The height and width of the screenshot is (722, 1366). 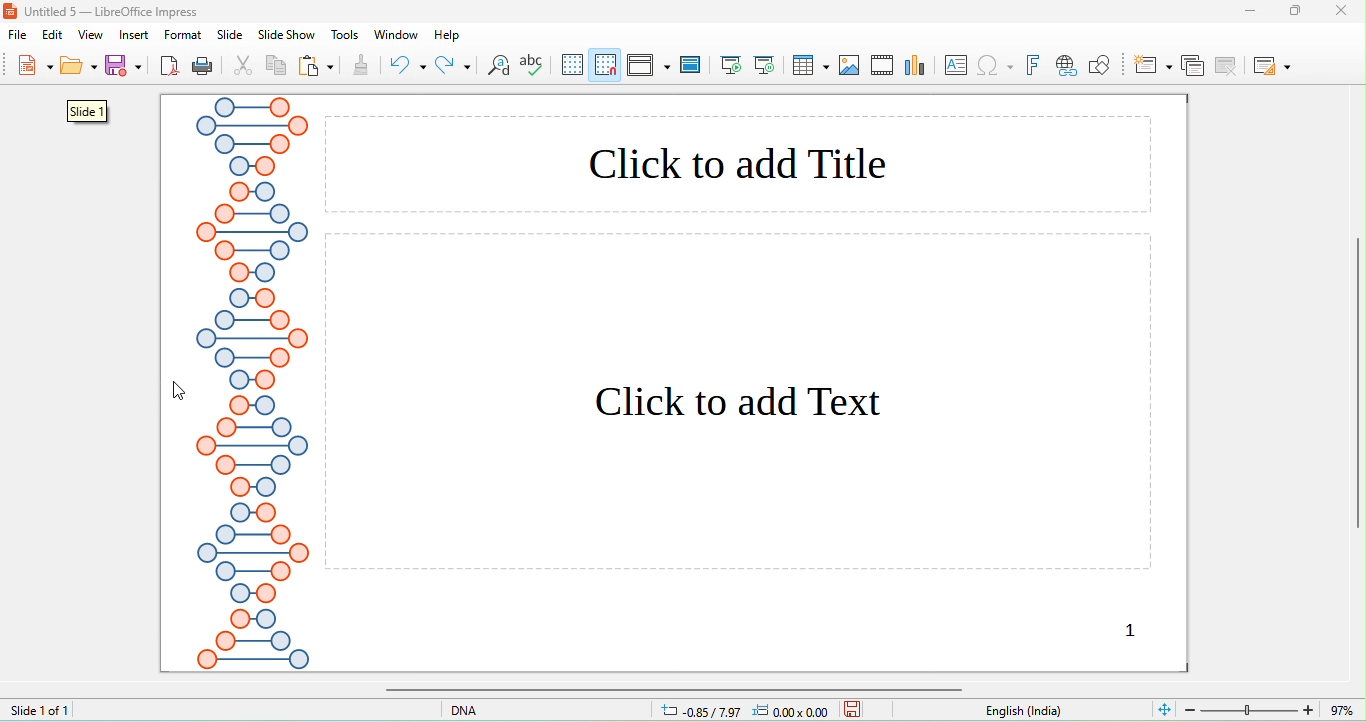 What do you see at coordinates (170, 67) in the screenshot?
I see `export pdf` at bounding box center [170, 67].